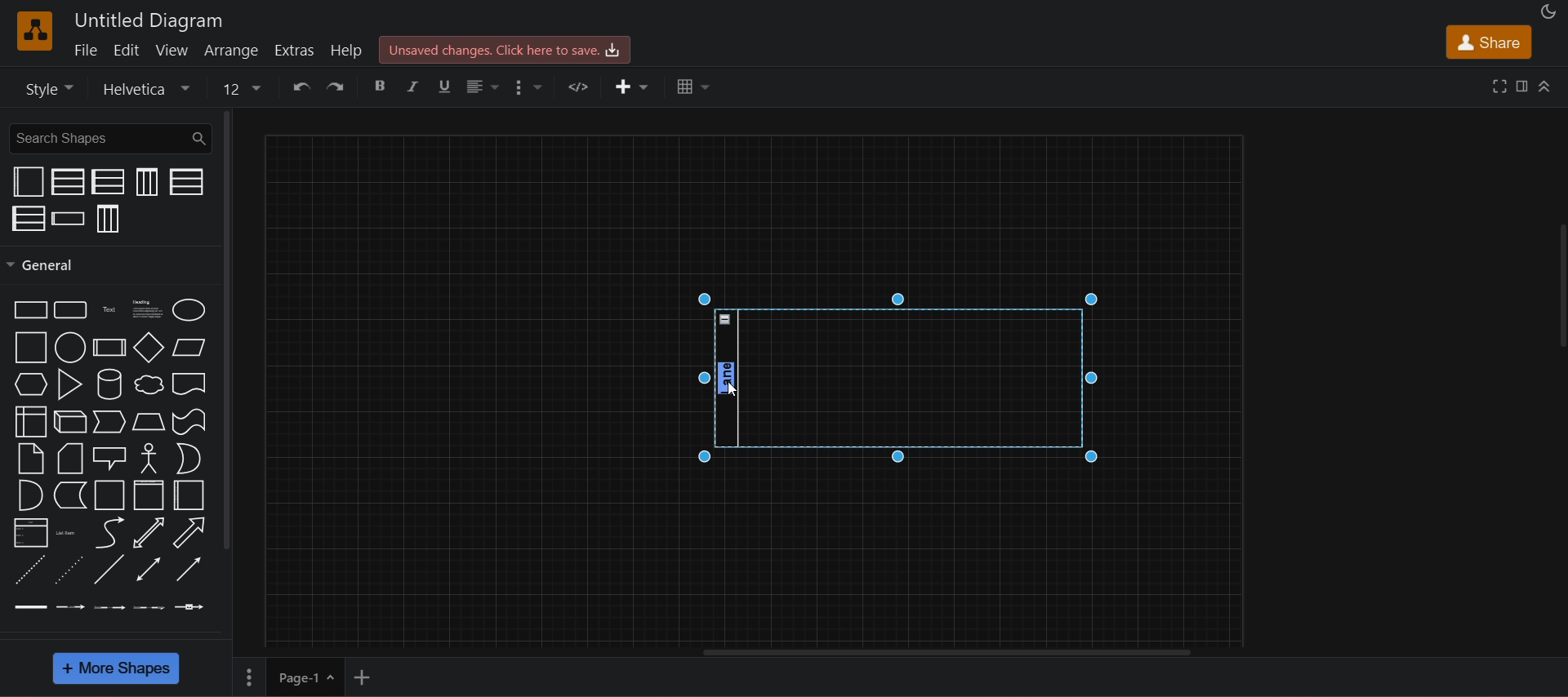 The height and width of the screenshot is (697, 1568). What do you see at coordinates (188, 422) in the screenshot?
I see `tape` at bounding box center [188, 422].